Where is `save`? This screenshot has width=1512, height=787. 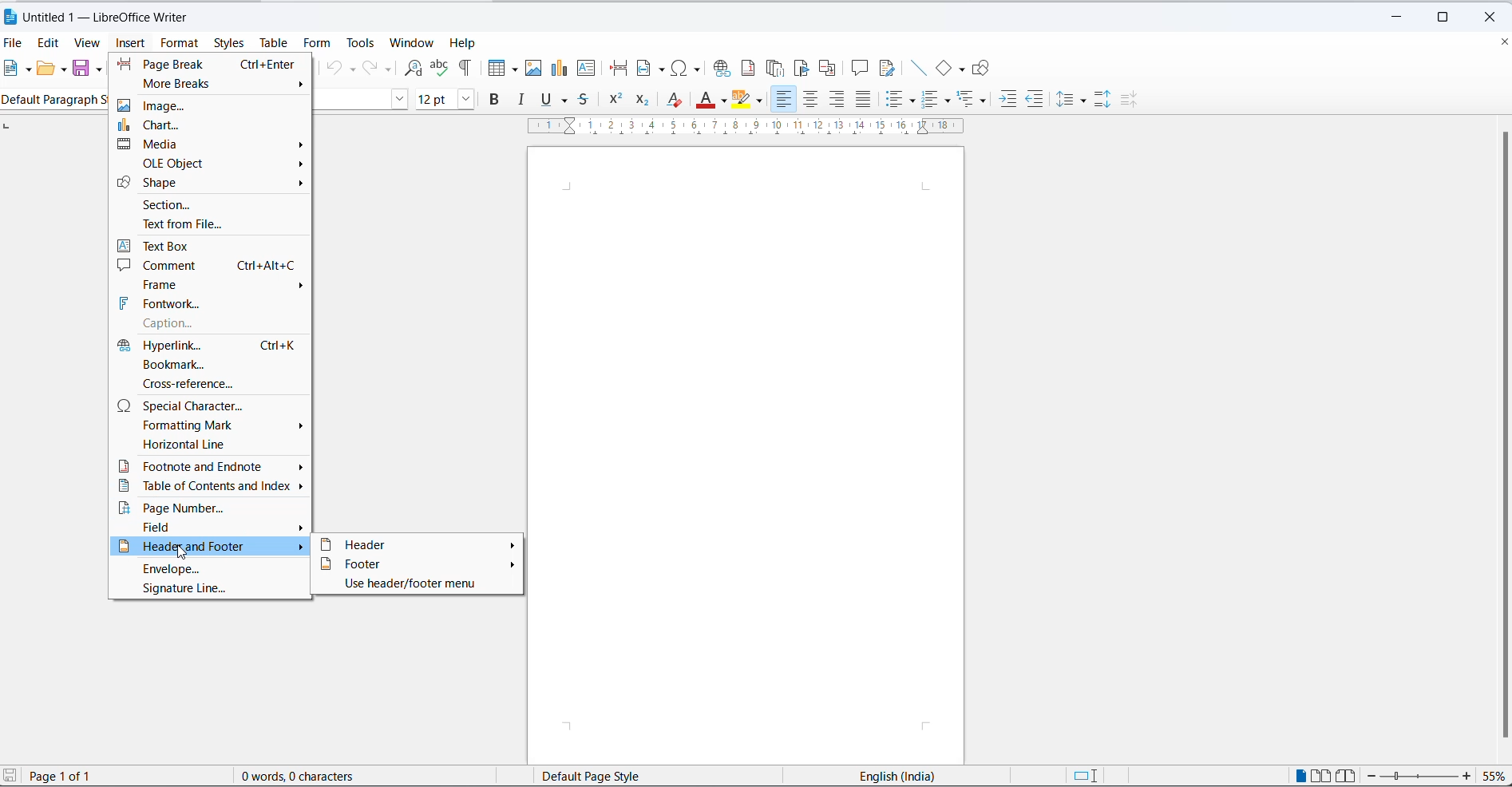 save is located at coordinates (80, 68).